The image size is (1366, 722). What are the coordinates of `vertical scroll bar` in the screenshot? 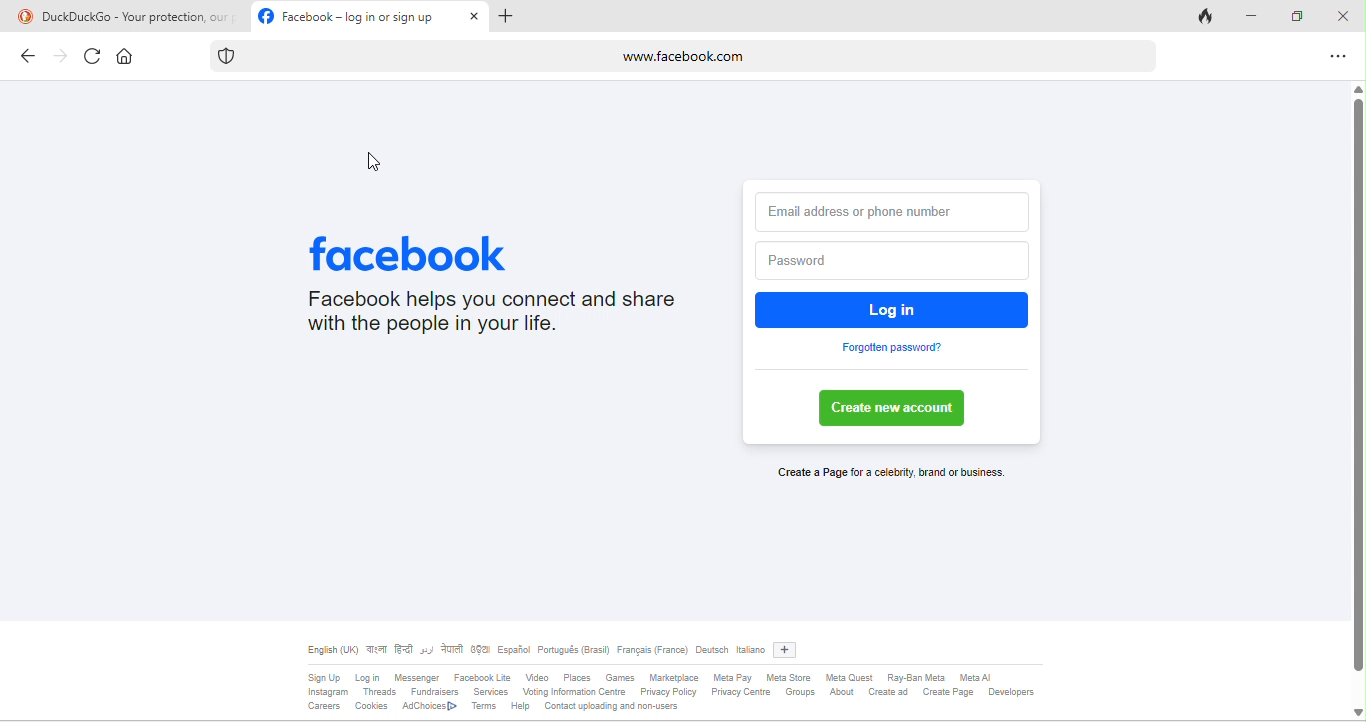 It's located at (1357, 386).